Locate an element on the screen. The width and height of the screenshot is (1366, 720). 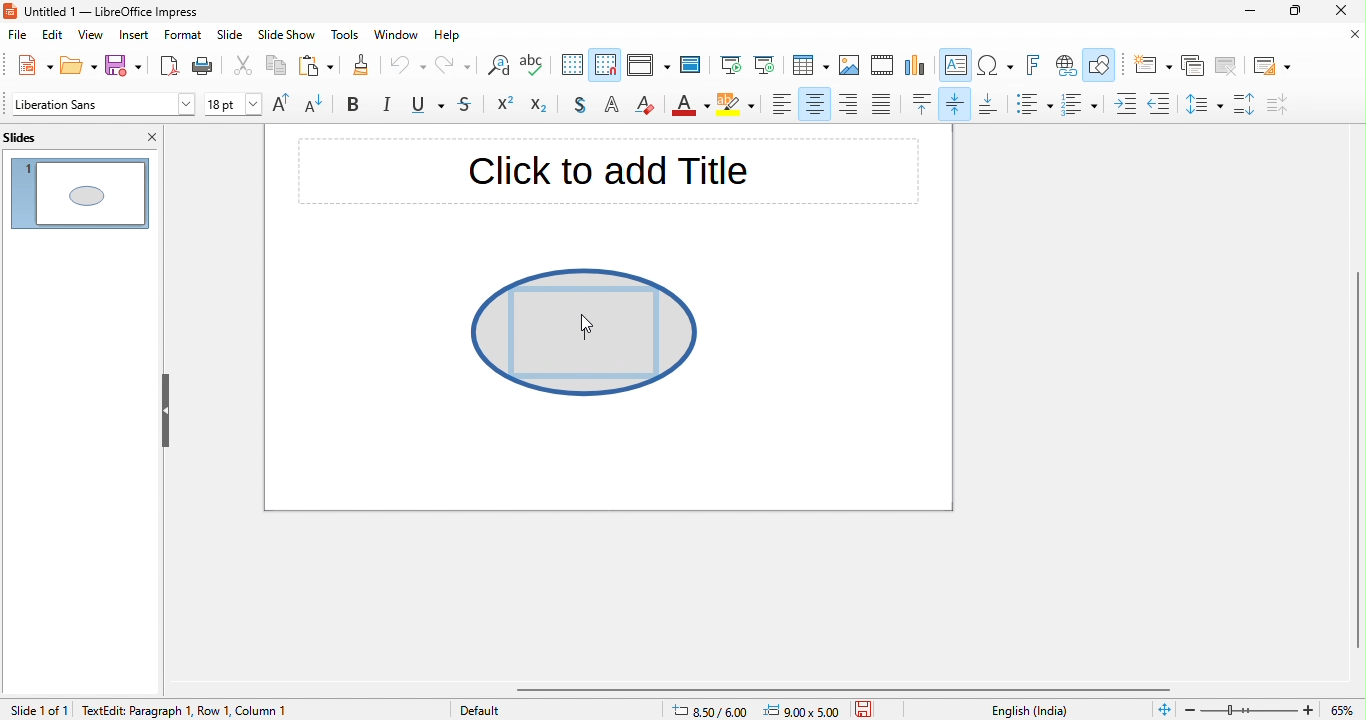
snap to grid is located at coordinates (607, 64).